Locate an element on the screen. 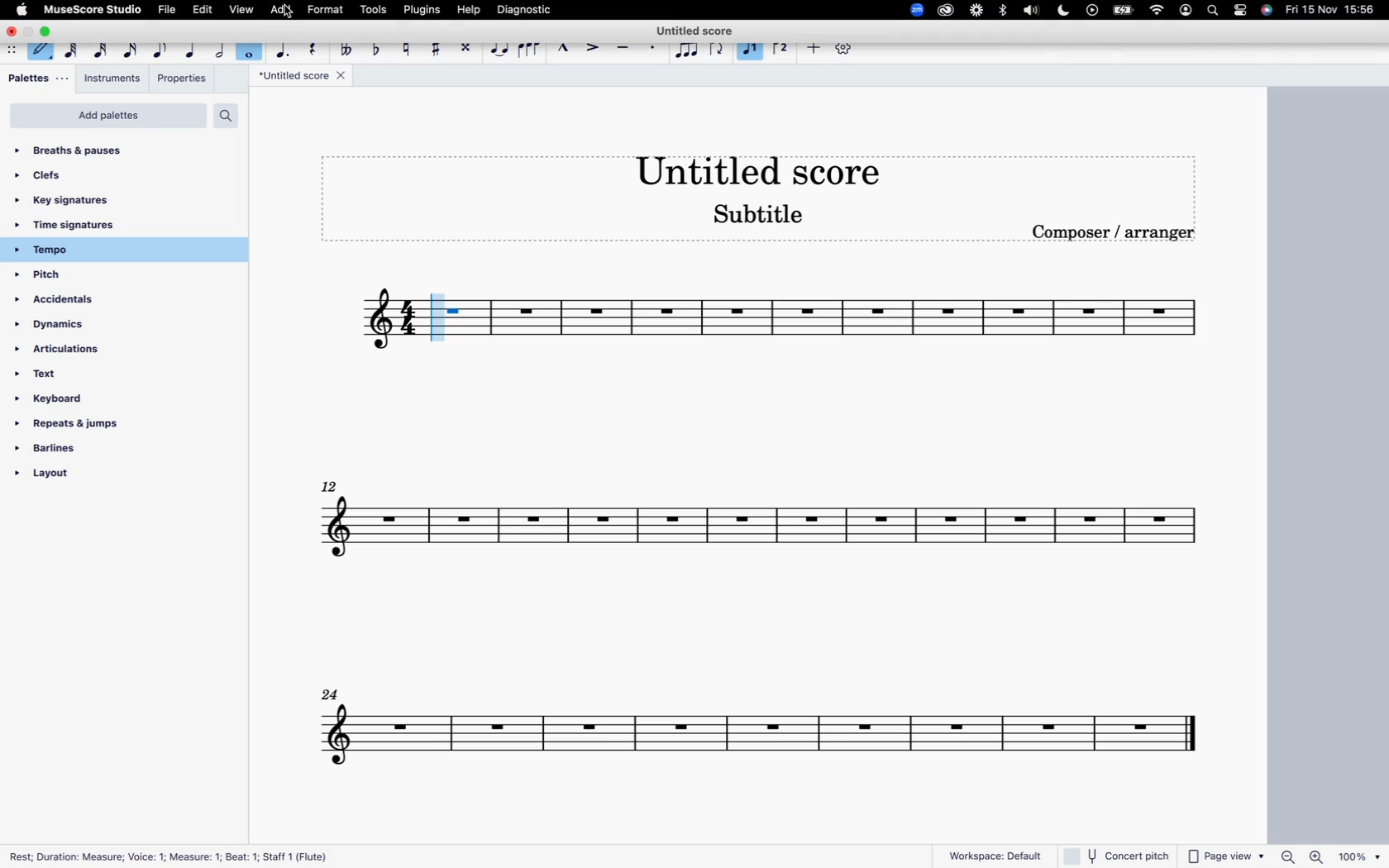 This screenshot has width=1389, height=868. dynamics is located at coordinates (84, 326).